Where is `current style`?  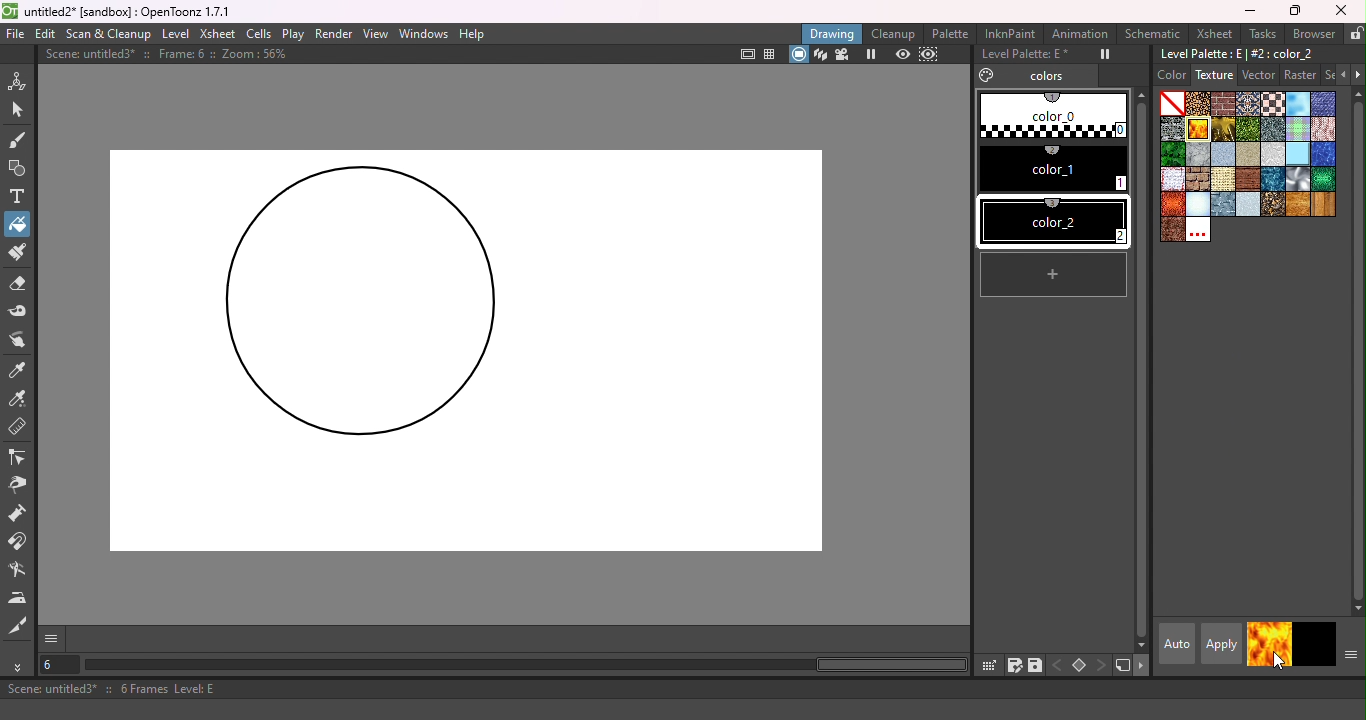 current style is located at coordinates (1268, 643).